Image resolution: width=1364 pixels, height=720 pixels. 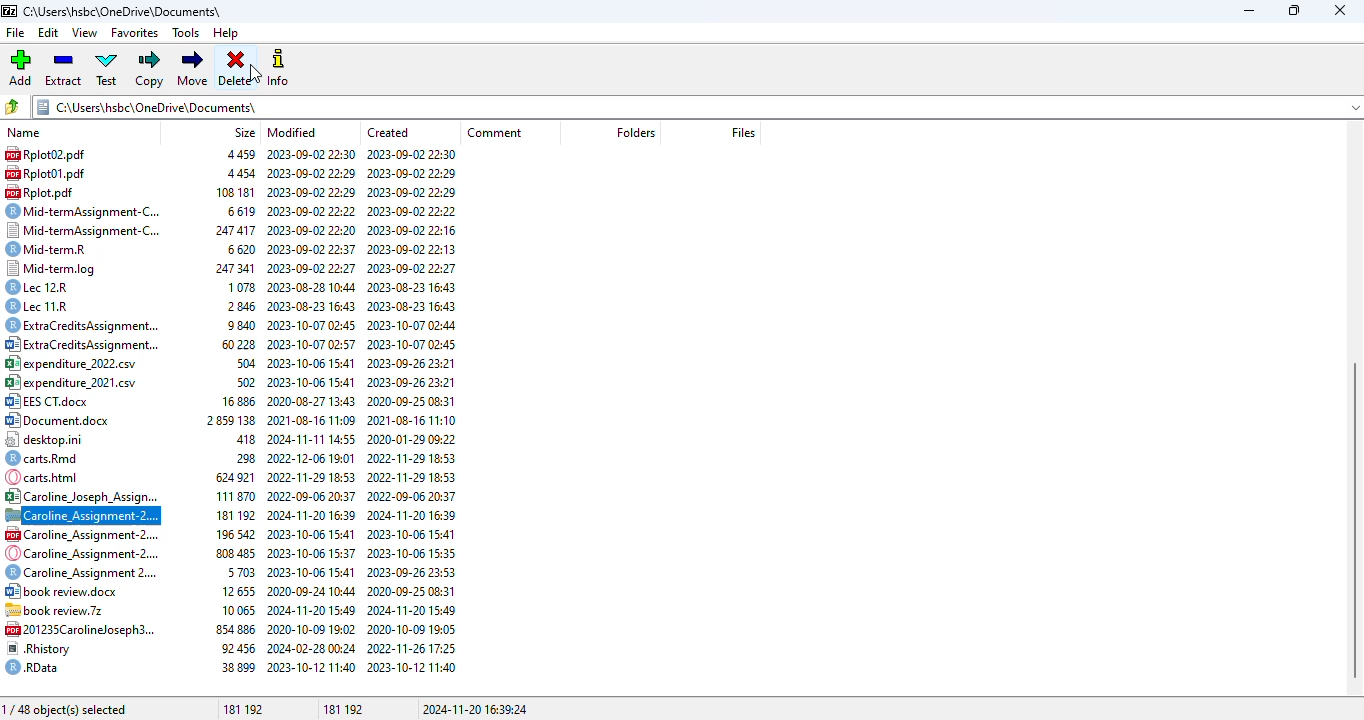 What do you see at coordinates (240, 324) in the screenshot?
I see `9840` at bounding box center [240, 324].